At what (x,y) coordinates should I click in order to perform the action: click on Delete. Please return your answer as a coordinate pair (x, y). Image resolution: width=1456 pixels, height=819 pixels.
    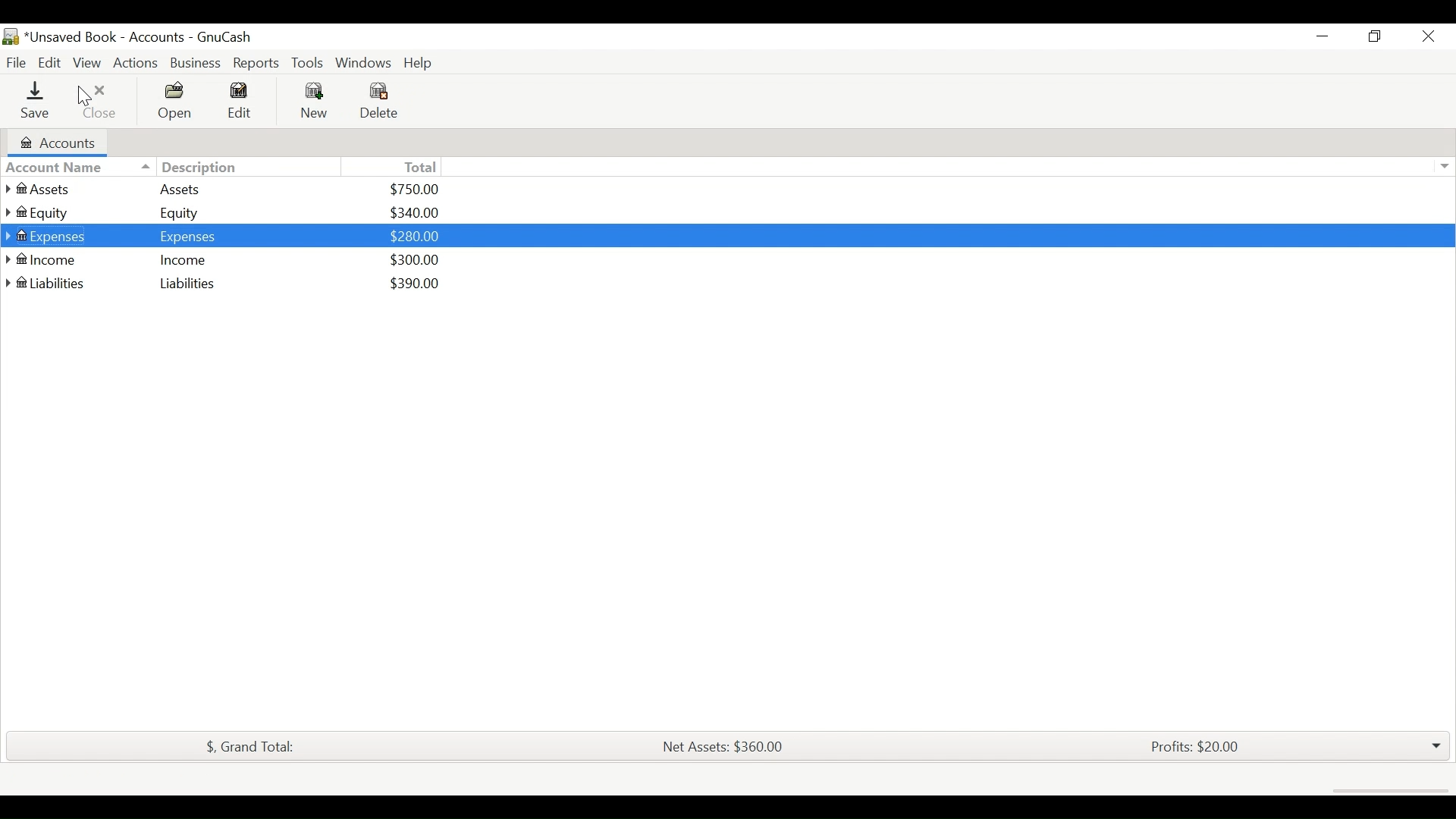
    Looking at the image, I should click on (378, 101).